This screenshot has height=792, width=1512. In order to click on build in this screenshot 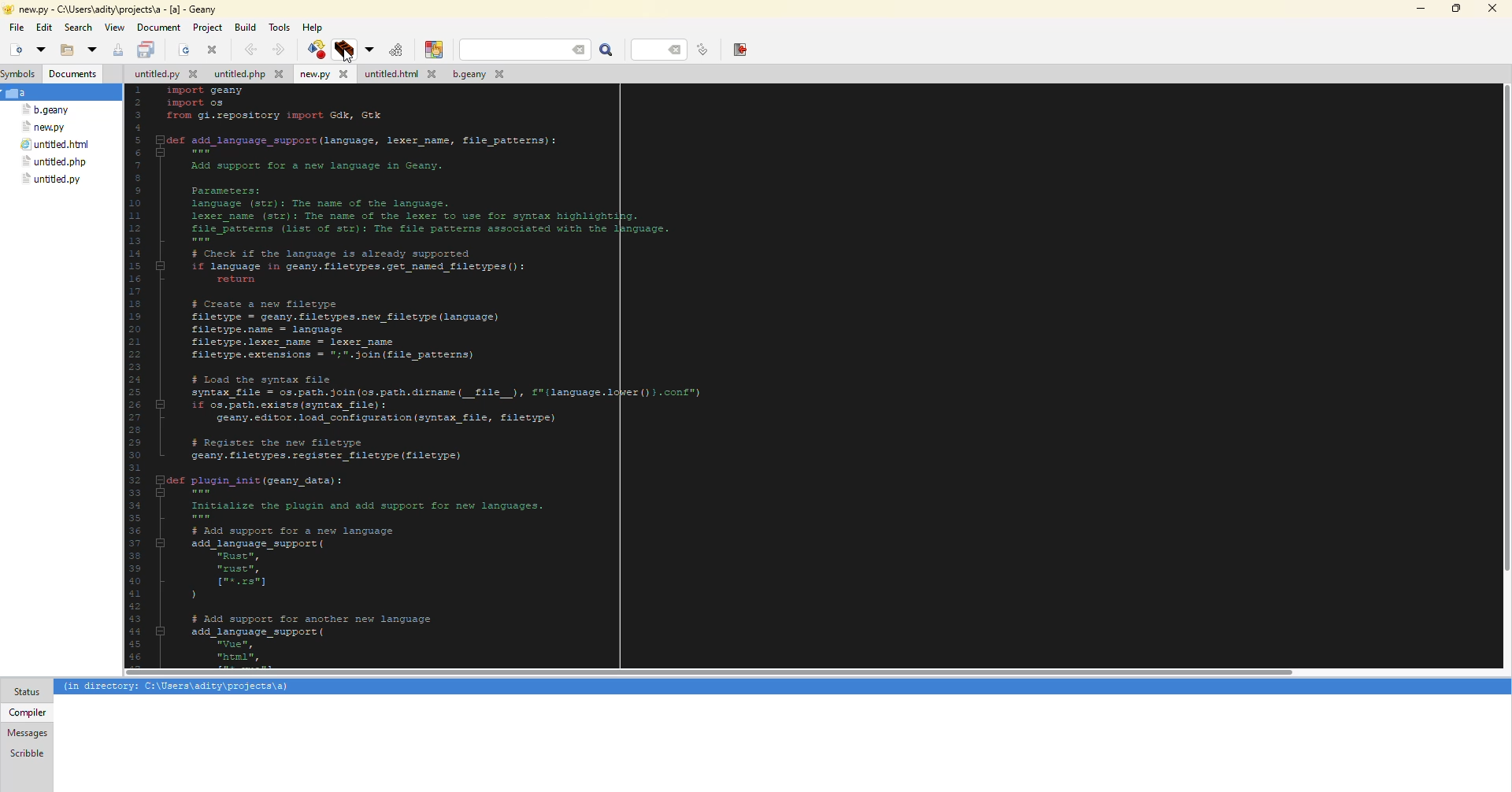, I will do `click(246, 28)`.